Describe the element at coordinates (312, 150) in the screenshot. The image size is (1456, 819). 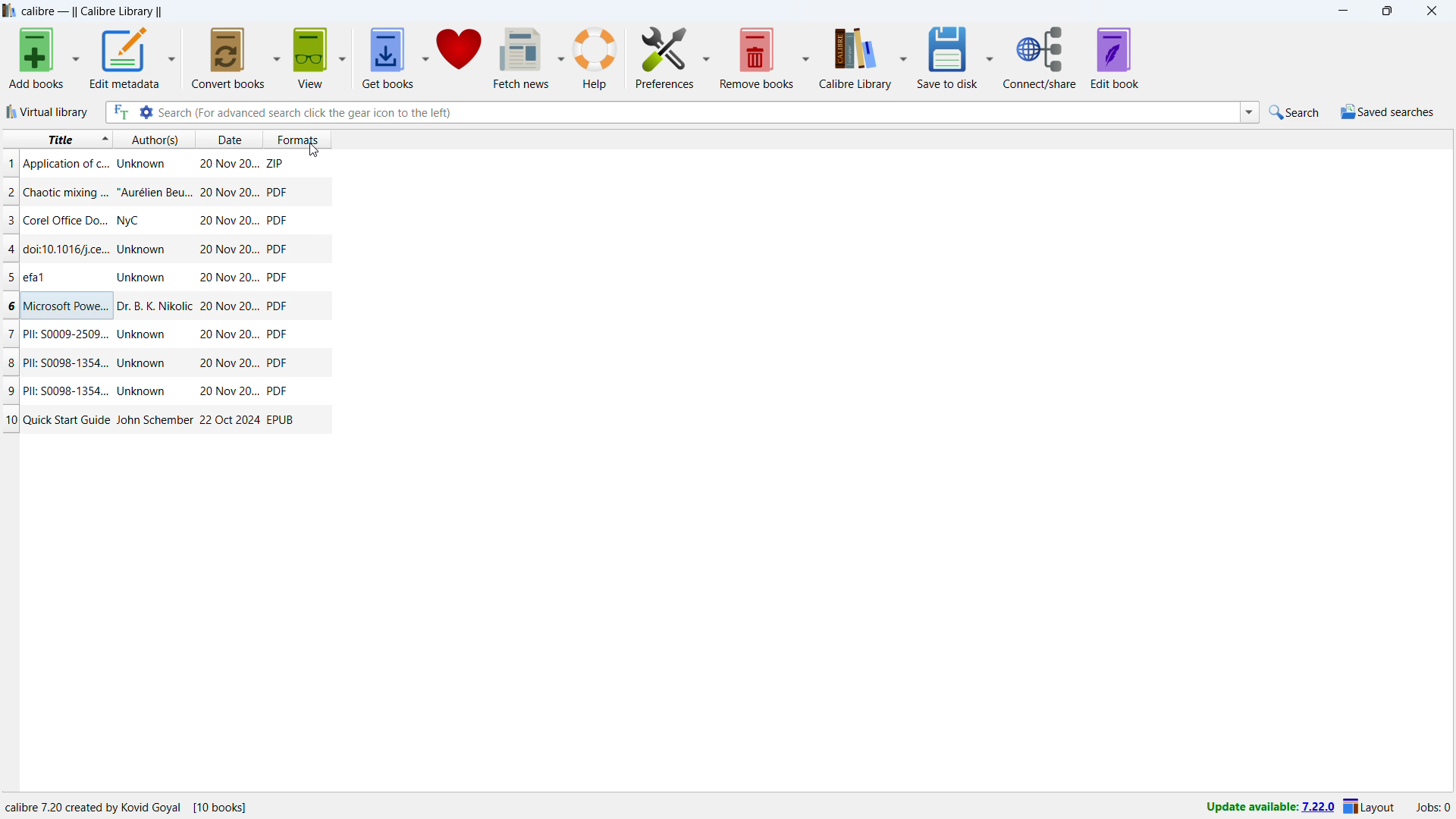
I see `cursor` at that location.